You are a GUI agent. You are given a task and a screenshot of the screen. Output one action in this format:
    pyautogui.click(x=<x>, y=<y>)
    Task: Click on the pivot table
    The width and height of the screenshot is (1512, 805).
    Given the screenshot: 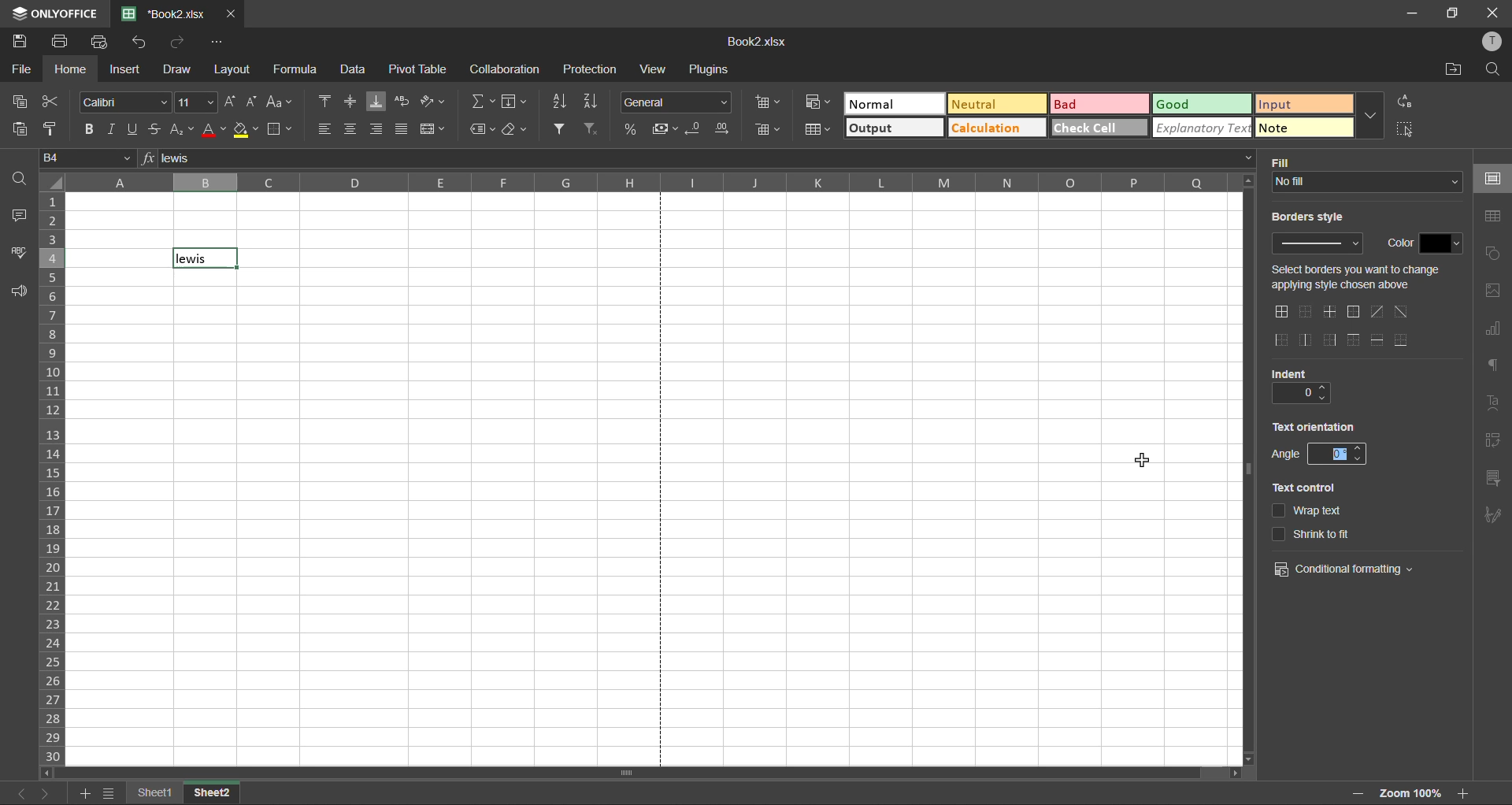 What is the action you would take?
    pyautogui.click(x=418, y=68)
    